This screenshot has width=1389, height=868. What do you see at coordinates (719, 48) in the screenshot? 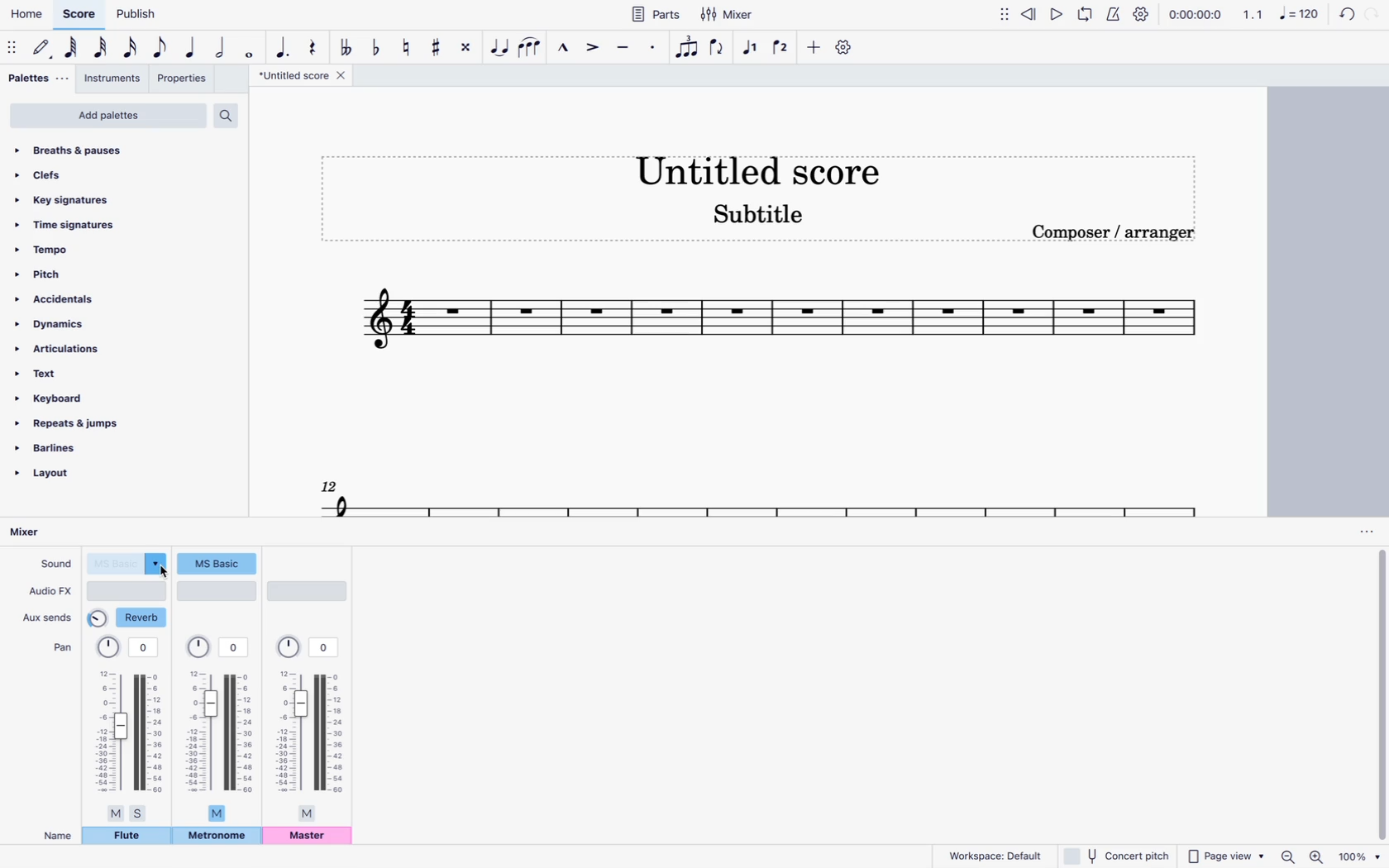
I see `flip direction` at bounding box center [719, 48].